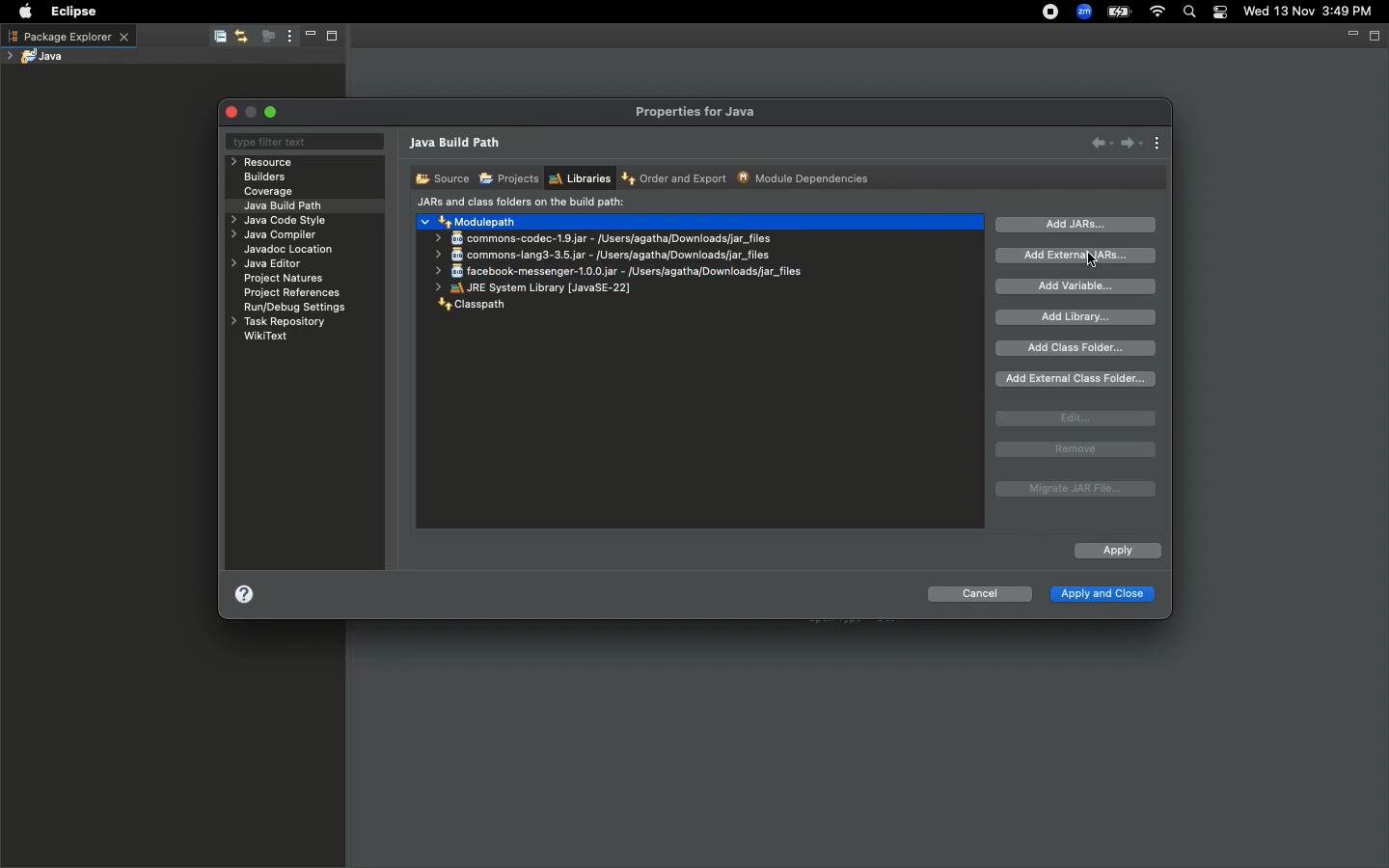  I want to click on Apple logo, so click(25, 12).